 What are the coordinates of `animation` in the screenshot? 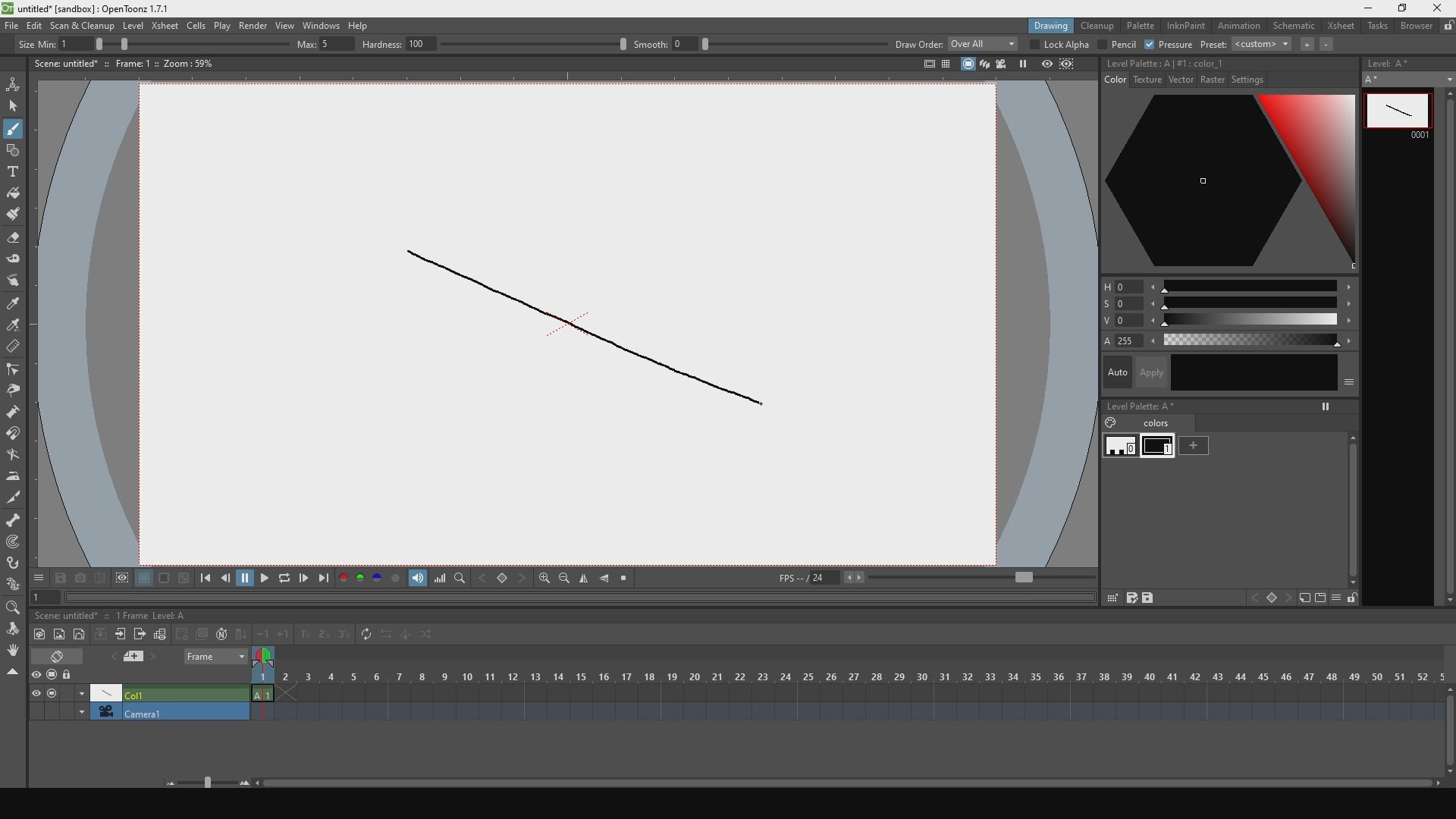 It's located at (1241, 27).